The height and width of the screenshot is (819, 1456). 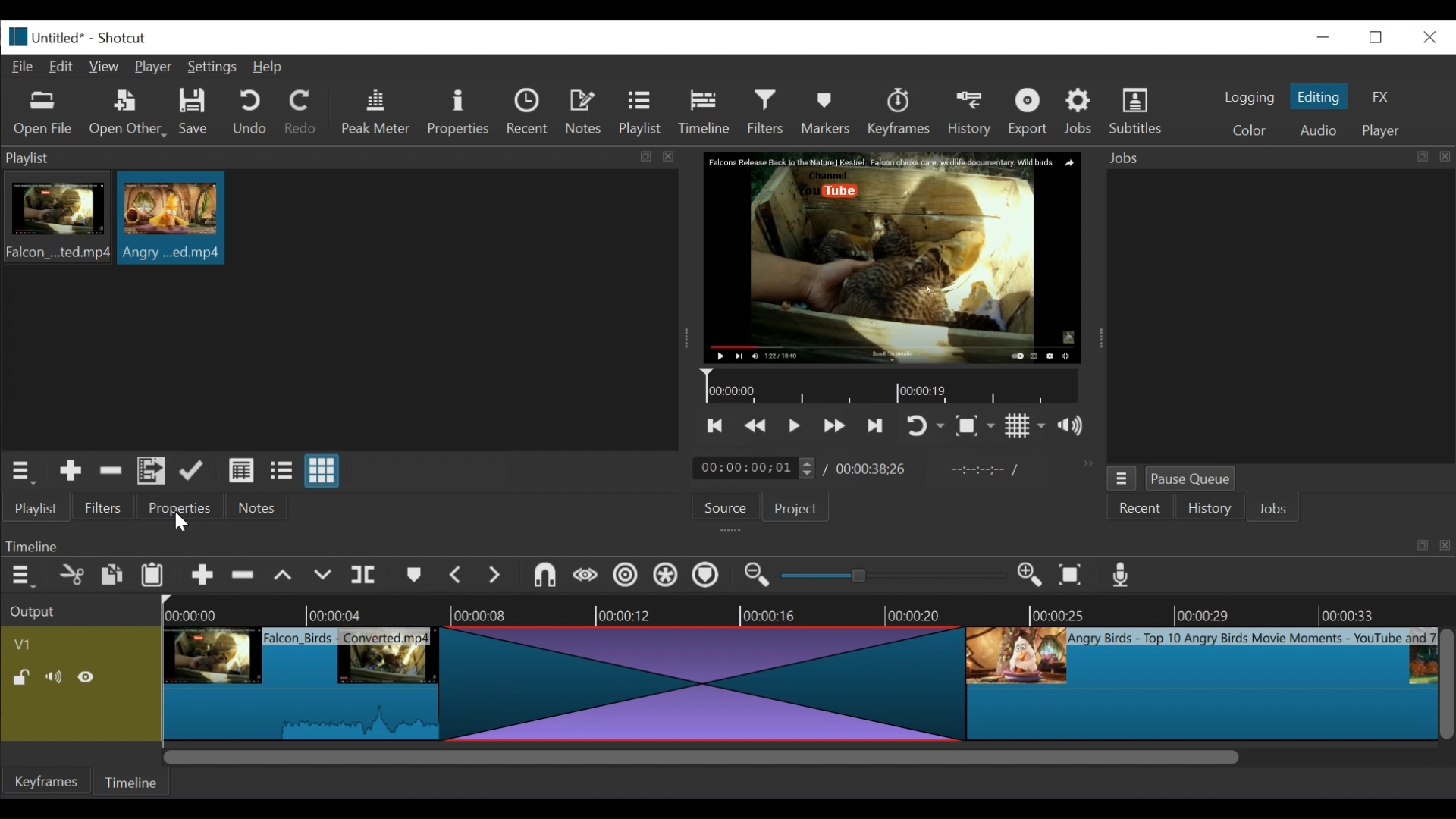 I want to click on Total duration, so click(x=876, y=469).